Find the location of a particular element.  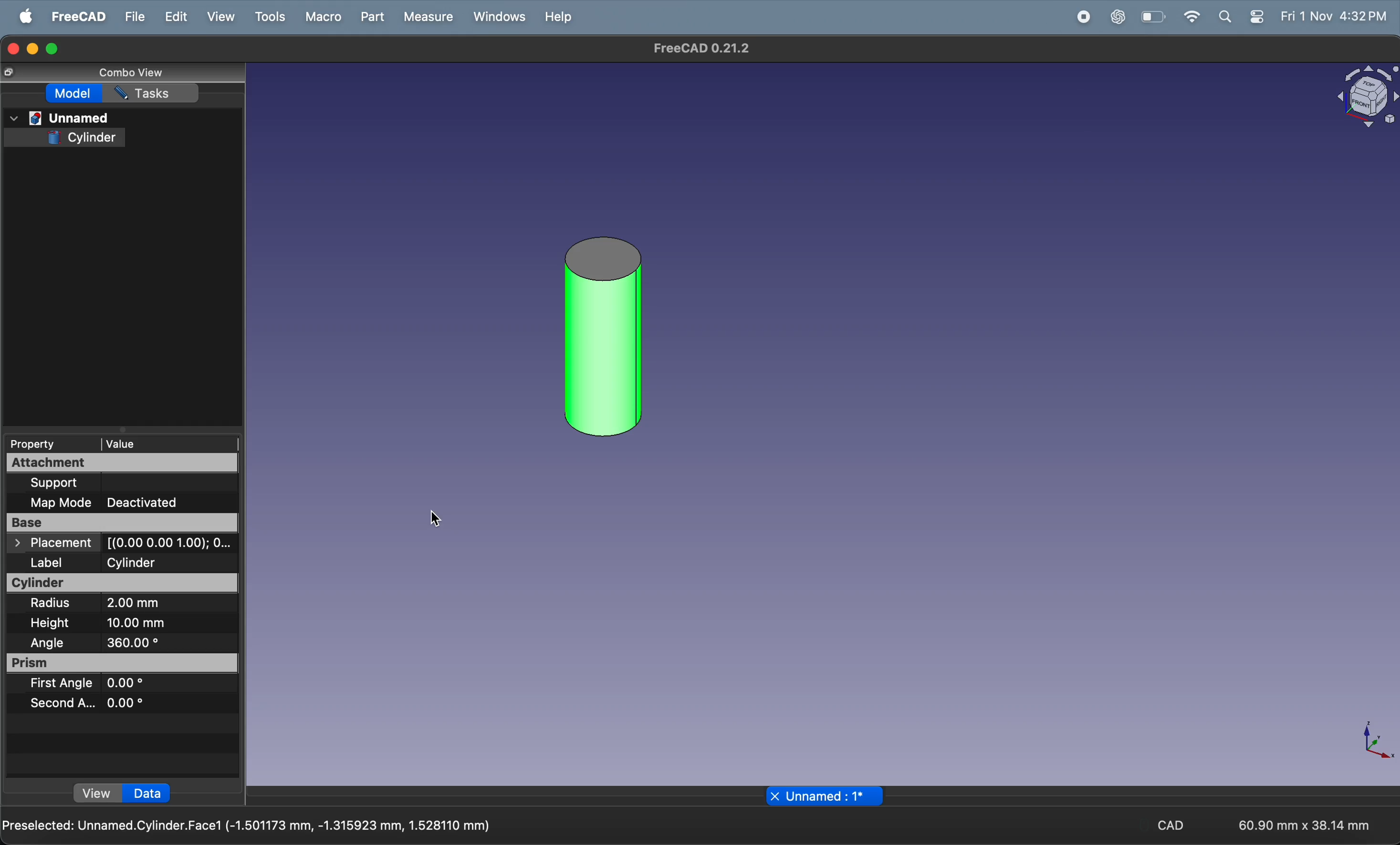

unanmed is located at coordinates (60, 119).